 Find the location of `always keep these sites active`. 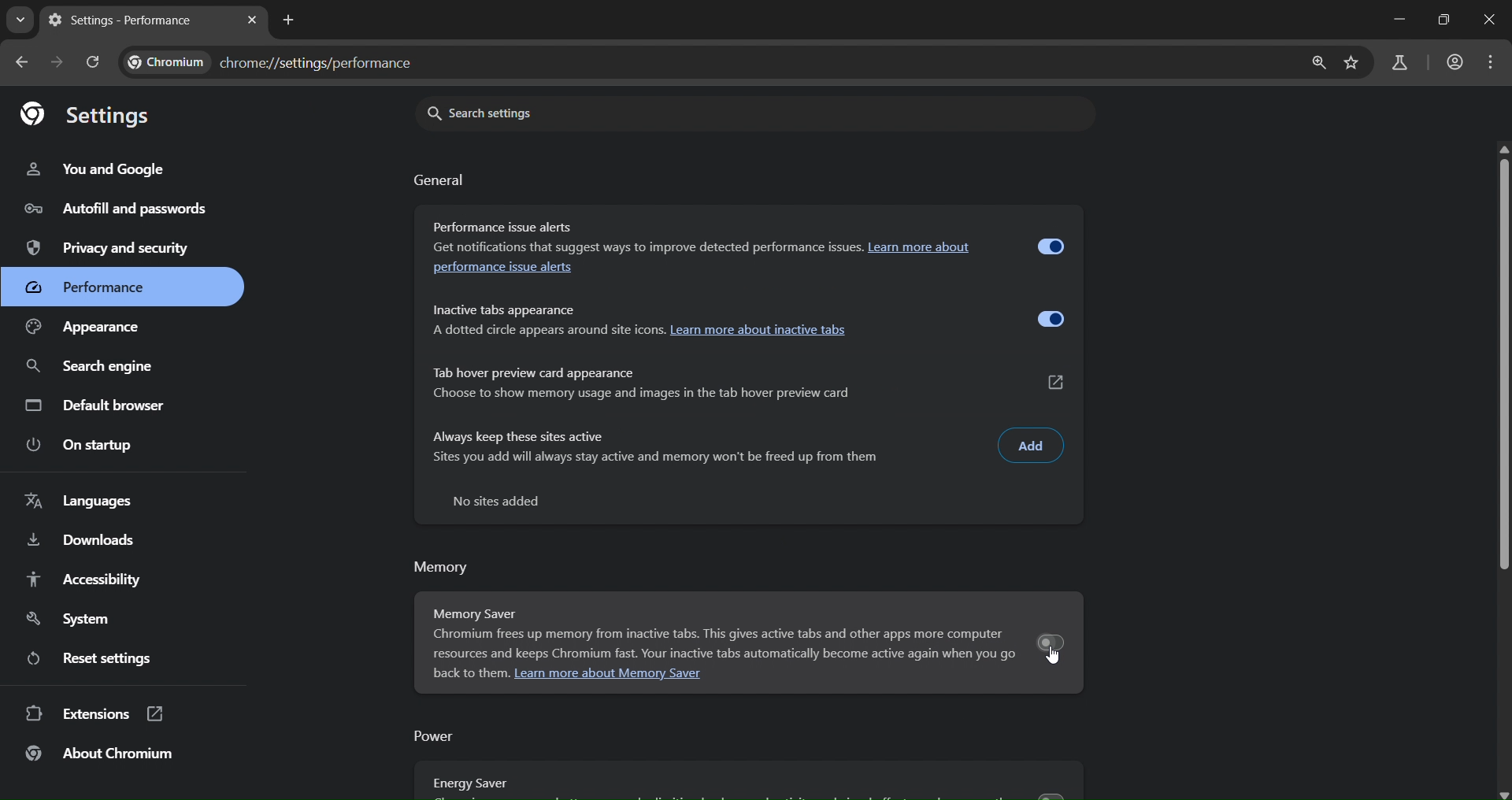

always keep these sites active is located at coordinates (519, 436).